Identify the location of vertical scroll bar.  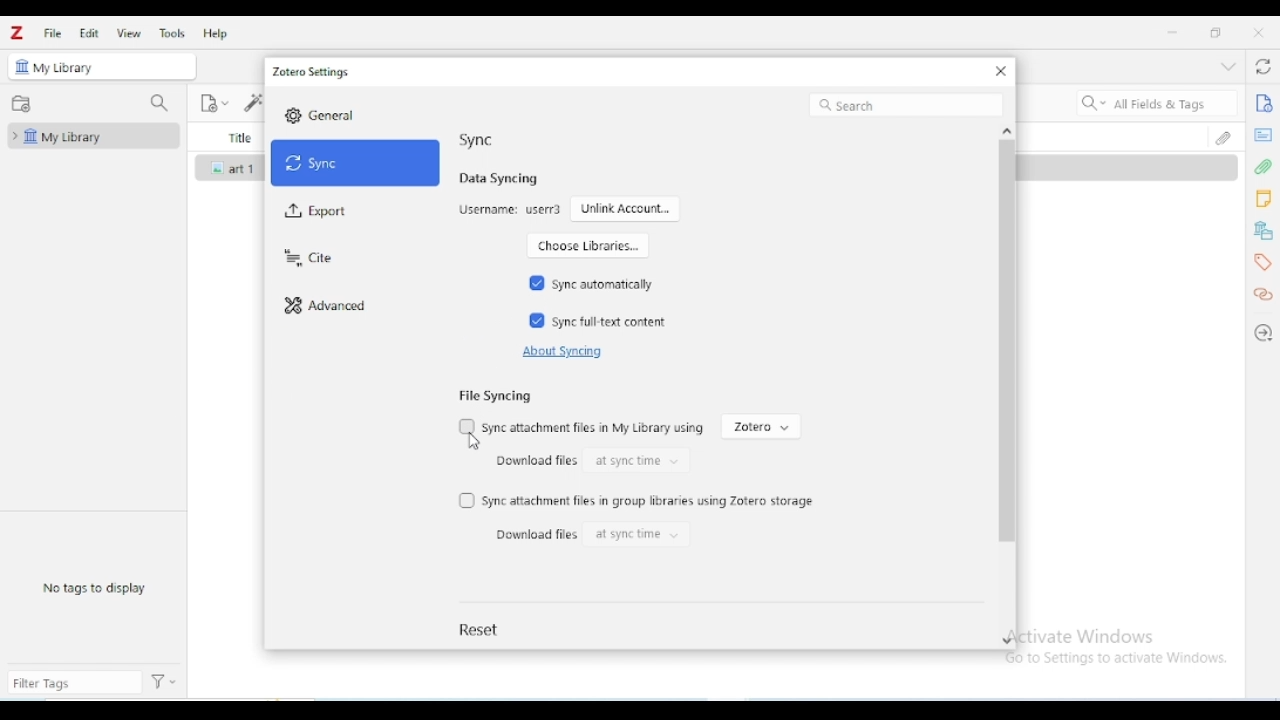
(1006, 373).